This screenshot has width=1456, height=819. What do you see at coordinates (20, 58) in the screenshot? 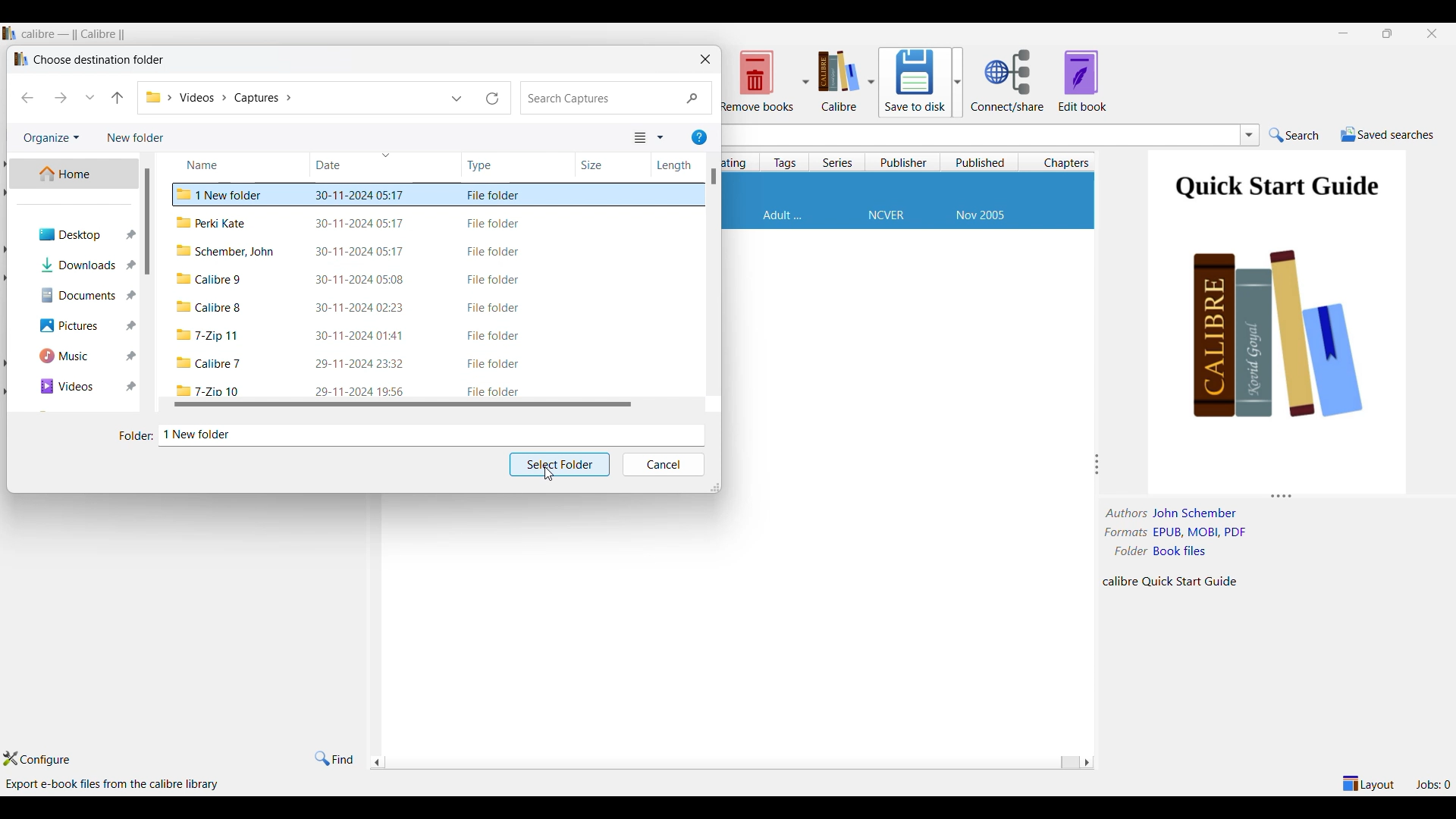
I see `logo` at bounding box center [20, 58].